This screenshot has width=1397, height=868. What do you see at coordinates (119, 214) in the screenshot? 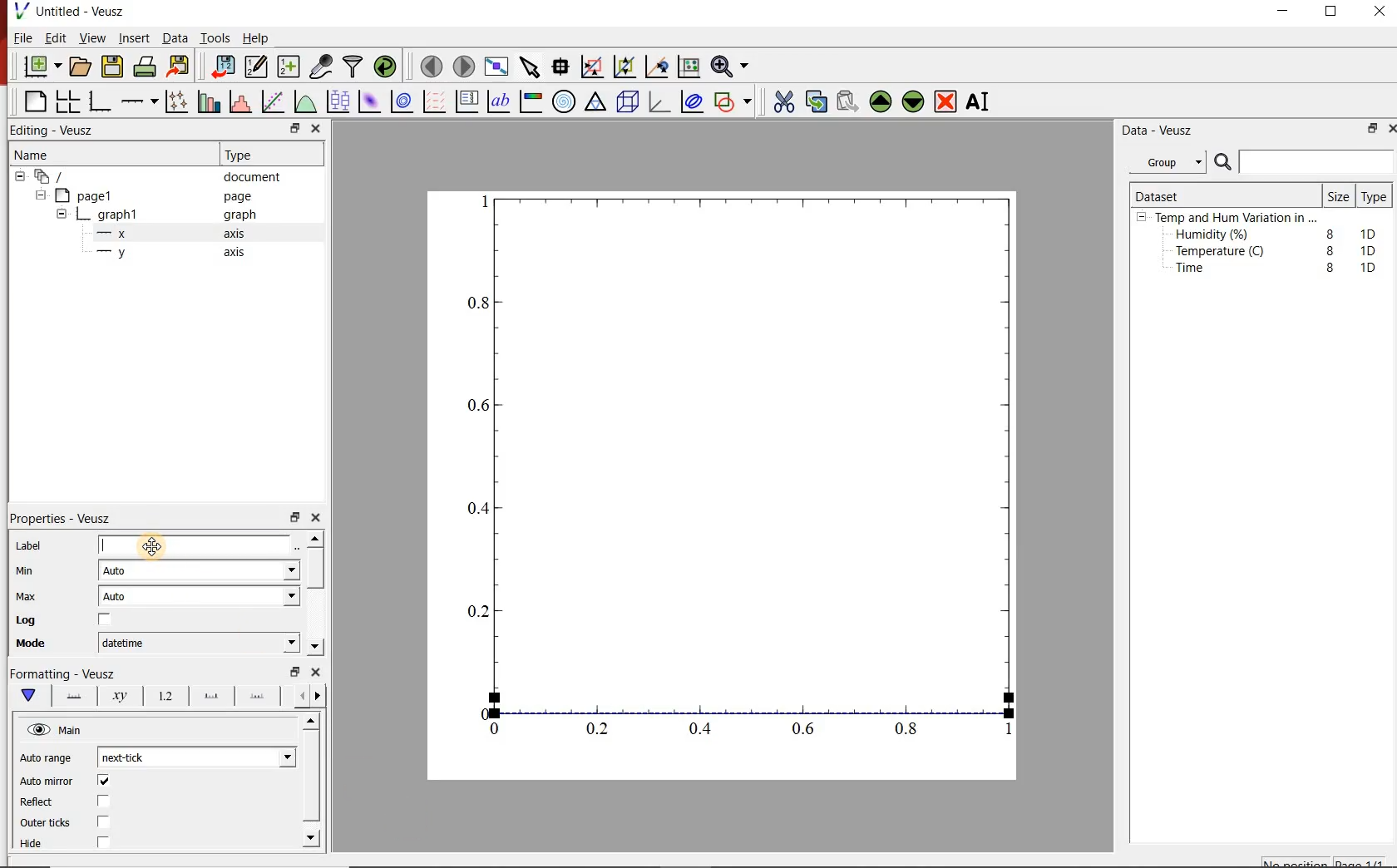
I see `graph` at bounding box center [119, 214].